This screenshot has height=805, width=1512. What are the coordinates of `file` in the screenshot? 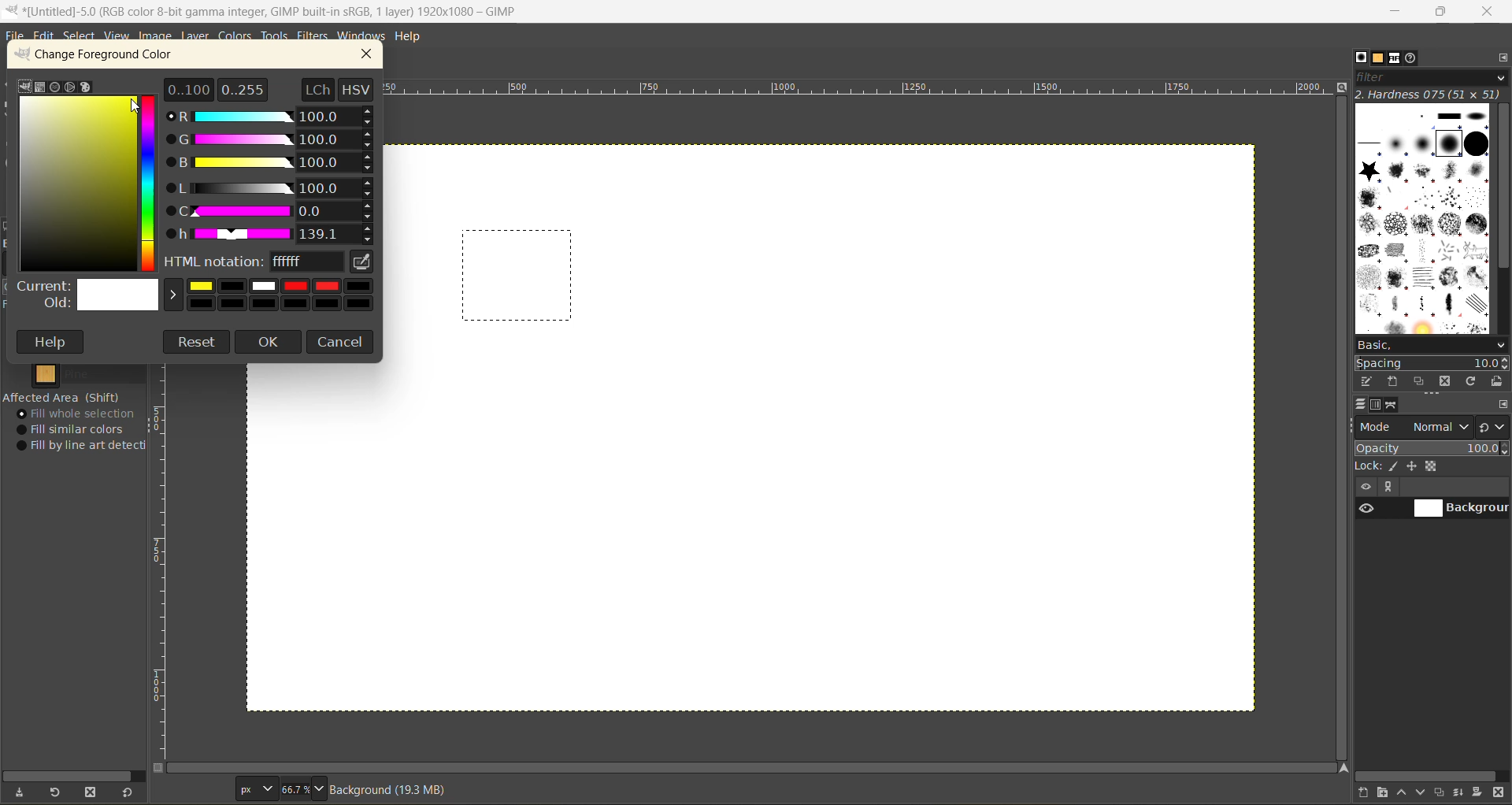 It's located at (16, 36).